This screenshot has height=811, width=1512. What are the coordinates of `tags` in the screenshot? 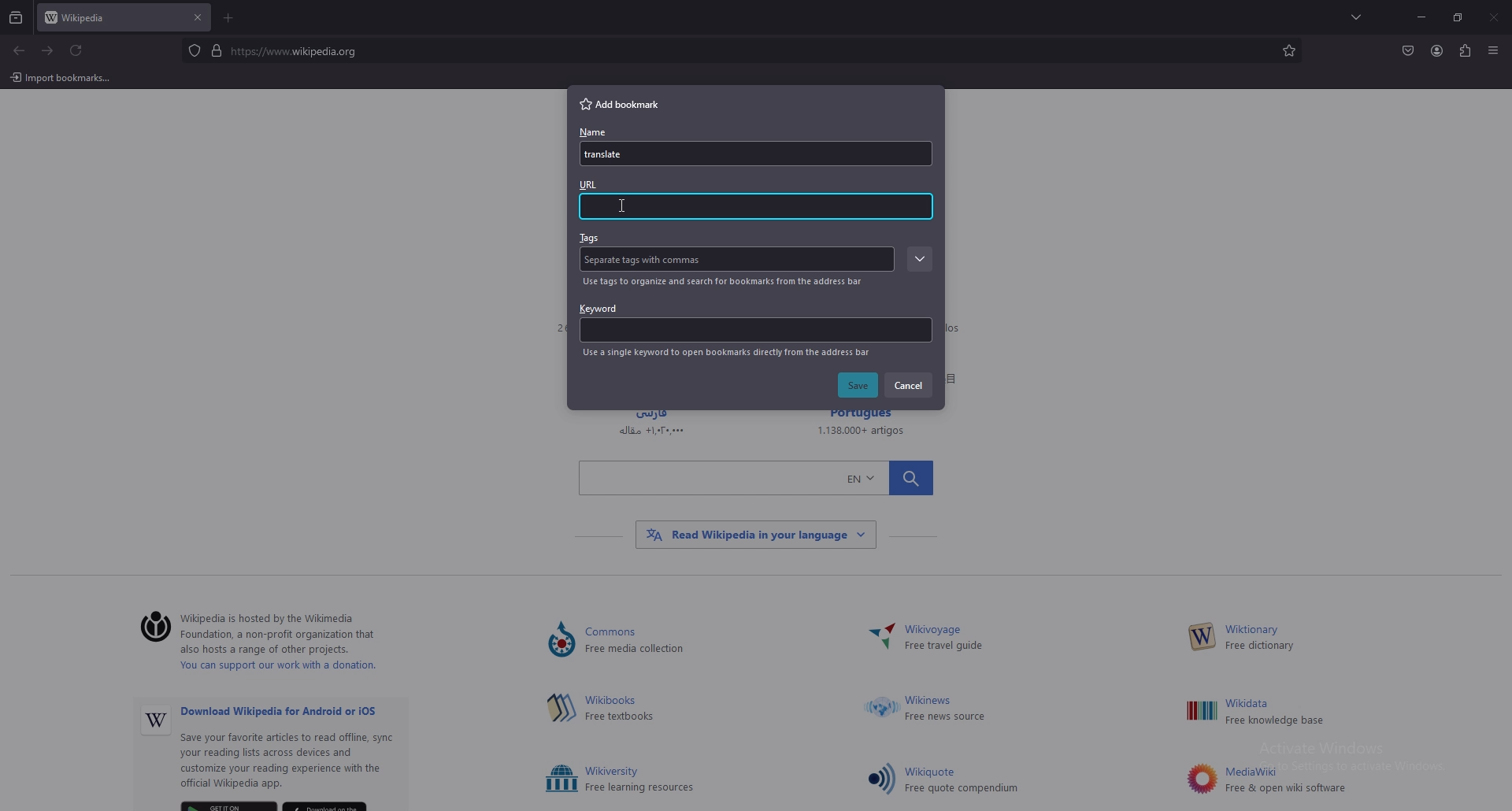 It's located at (588, 238).